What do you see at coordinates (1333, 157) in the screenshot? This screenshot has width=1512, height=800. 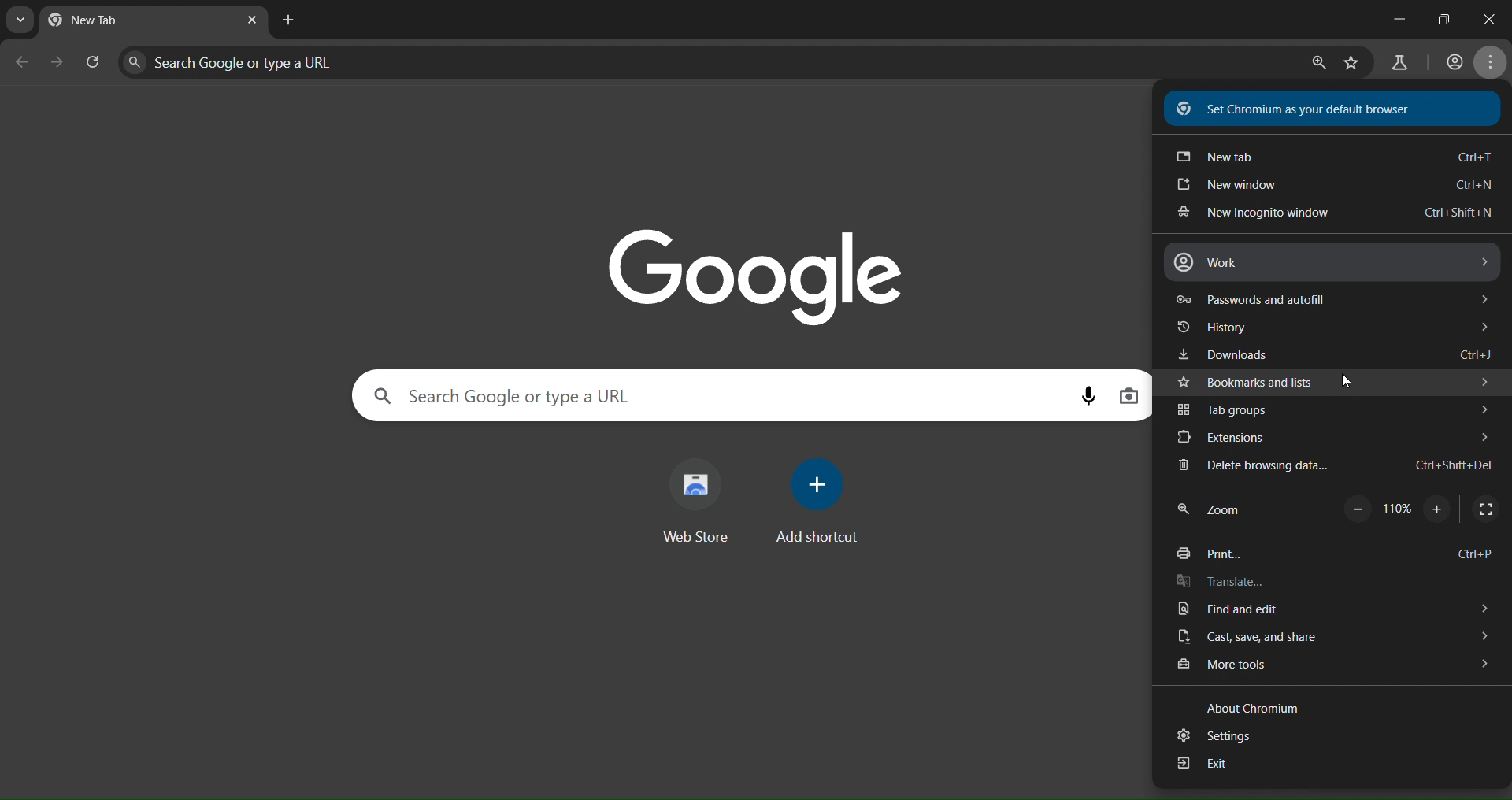 I see `new tab` at bounding box center [1333, 157].